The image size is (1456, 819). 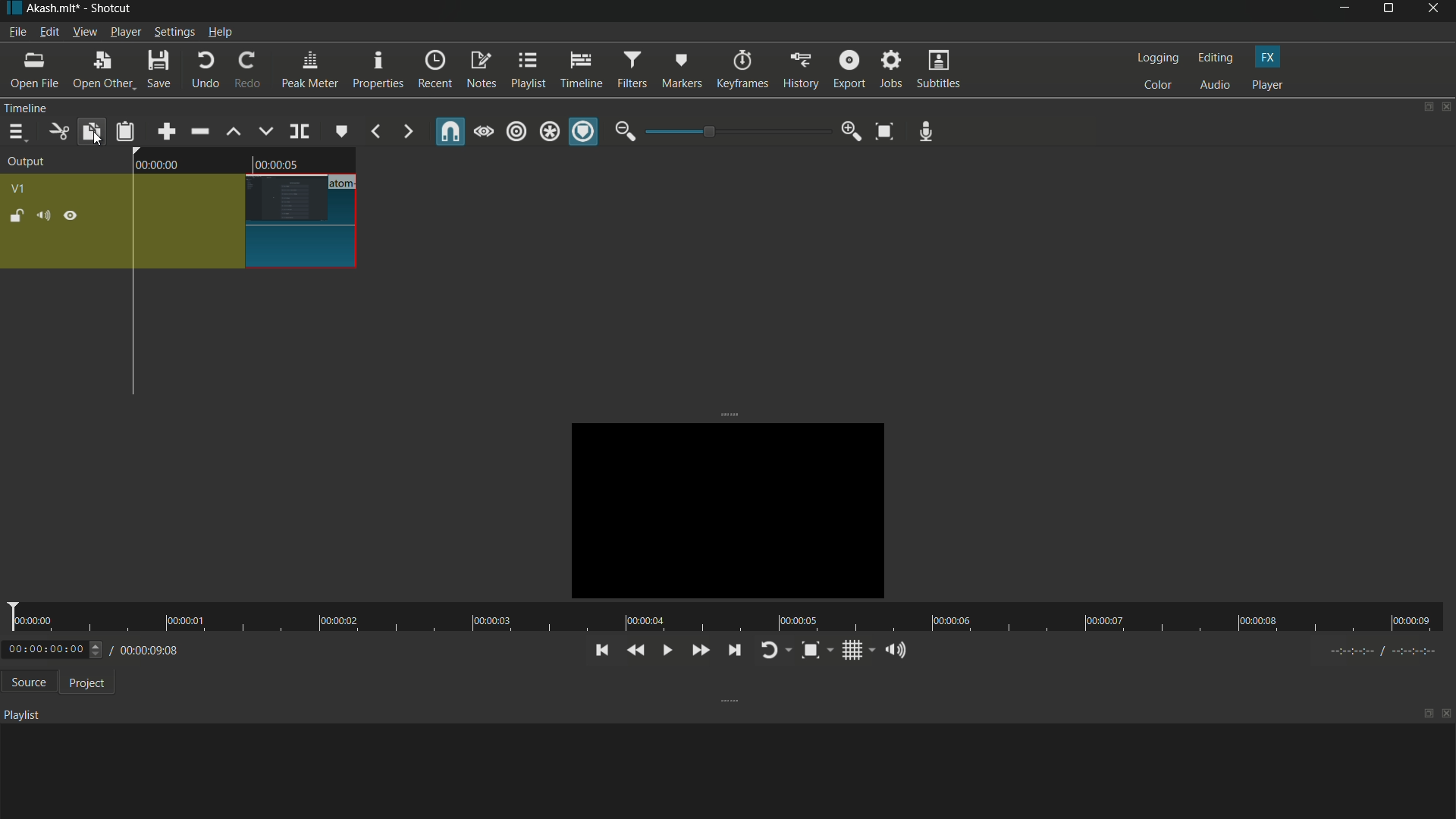 What do you see at coordinates (722, 617) in the screenshot?
I see `time` at bounding box center [722, 617].